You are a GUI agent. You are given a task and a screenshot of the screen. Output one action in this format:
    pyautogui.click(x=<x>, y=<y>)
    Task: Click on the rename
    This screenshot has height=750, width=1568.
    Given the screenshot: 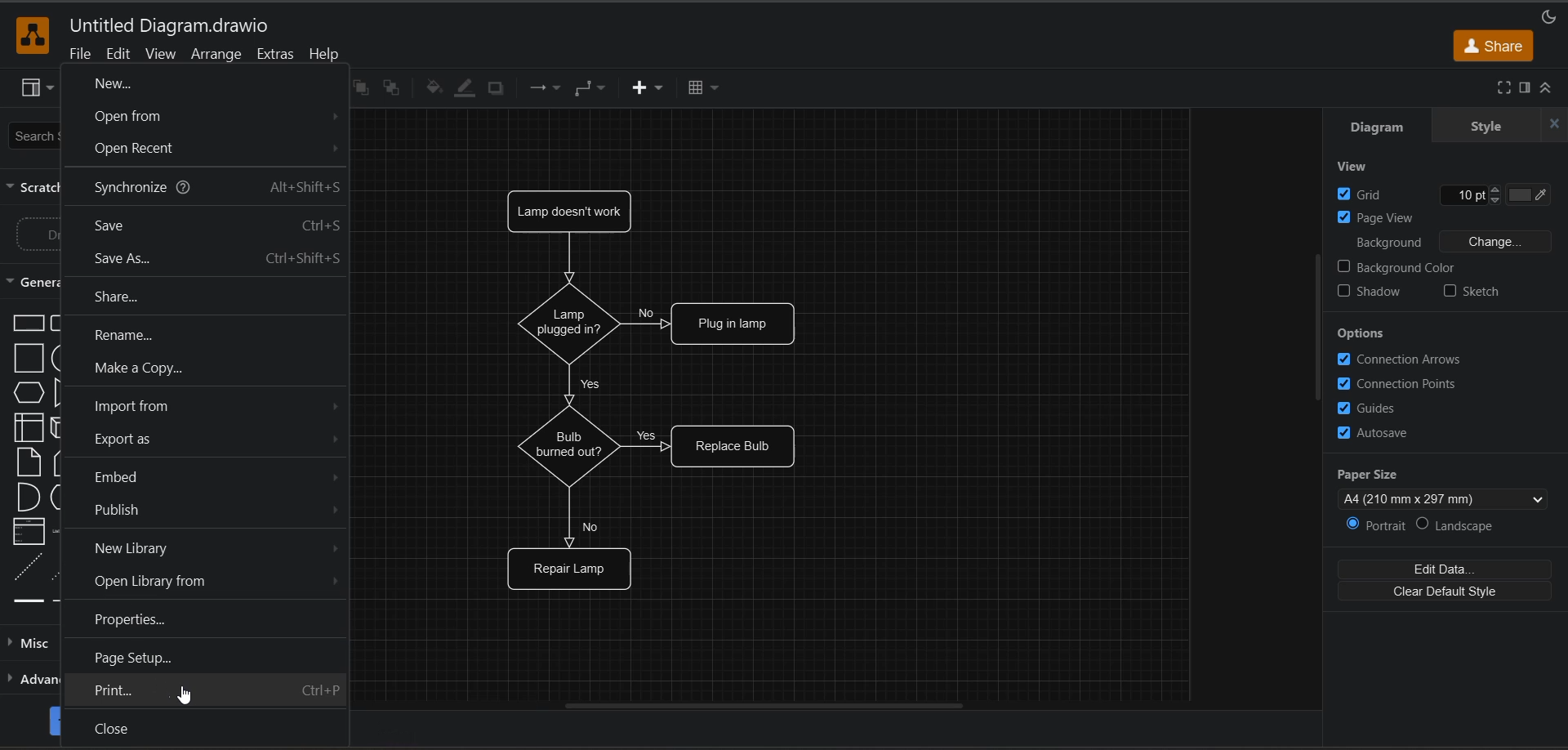 What is the action you would take?
    pyautogui.click(x=155, y=335)
    